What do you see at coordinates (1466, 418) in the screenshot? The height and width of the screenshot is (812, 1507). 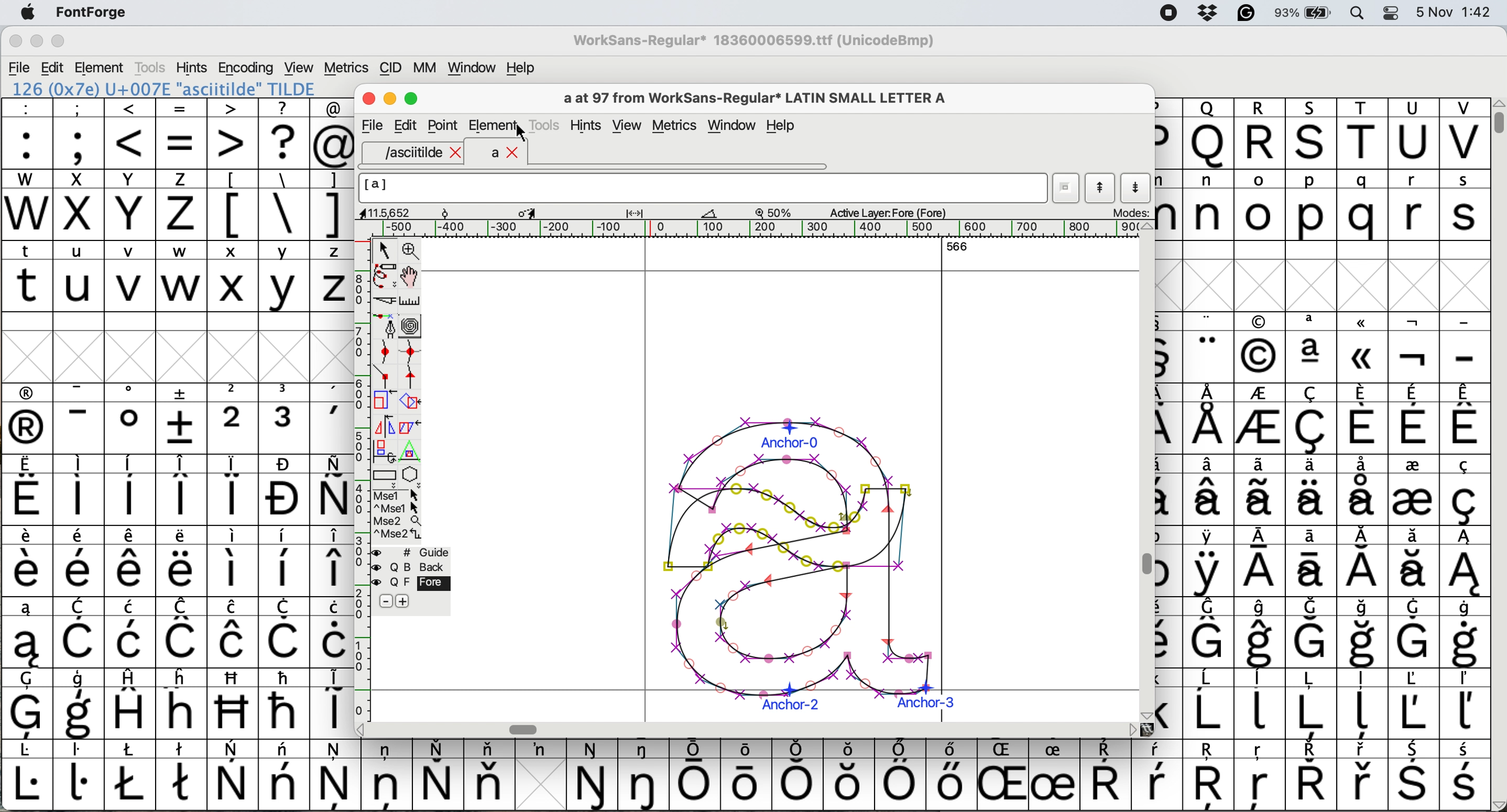 I see `symbol` at bounding box center [1466, 418].